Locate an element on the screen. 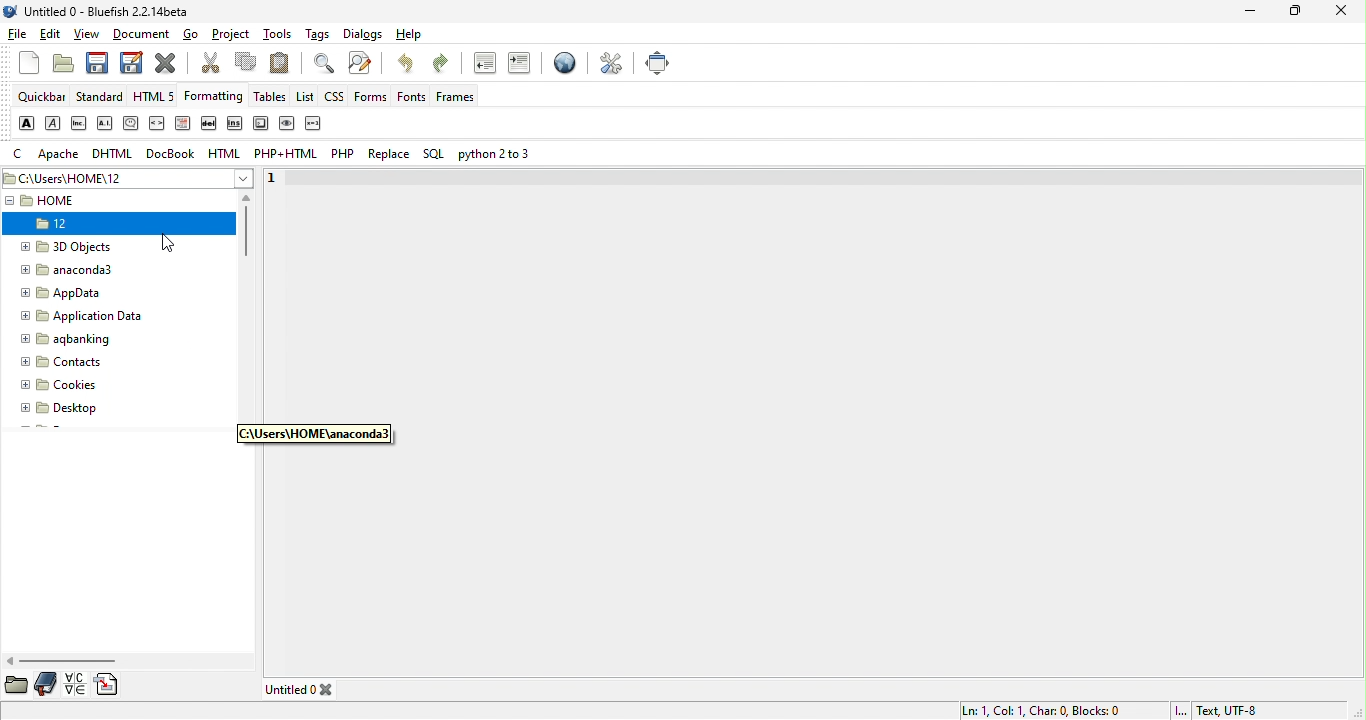  emphasis is located at coordinates (53, 124).